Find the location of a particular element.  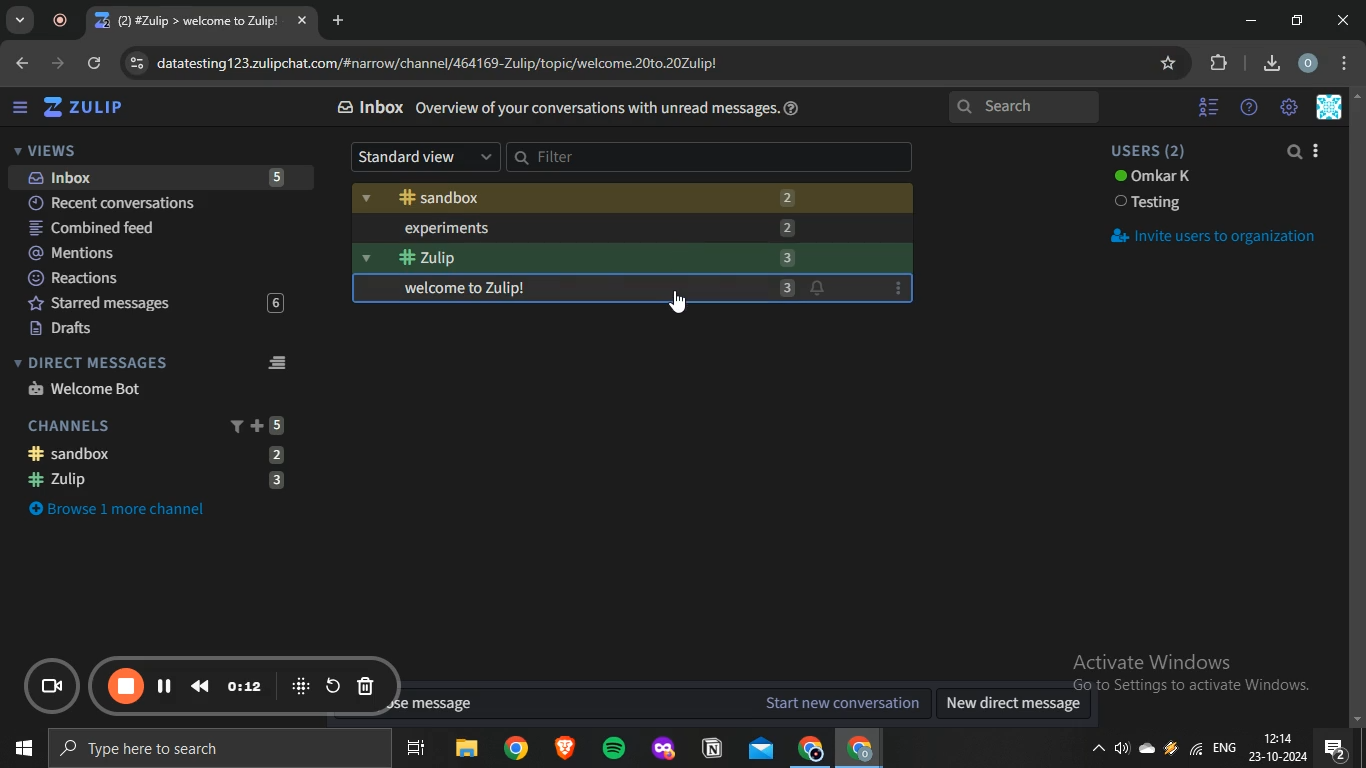

go back to  previous page is located at coordinates (20, 61).